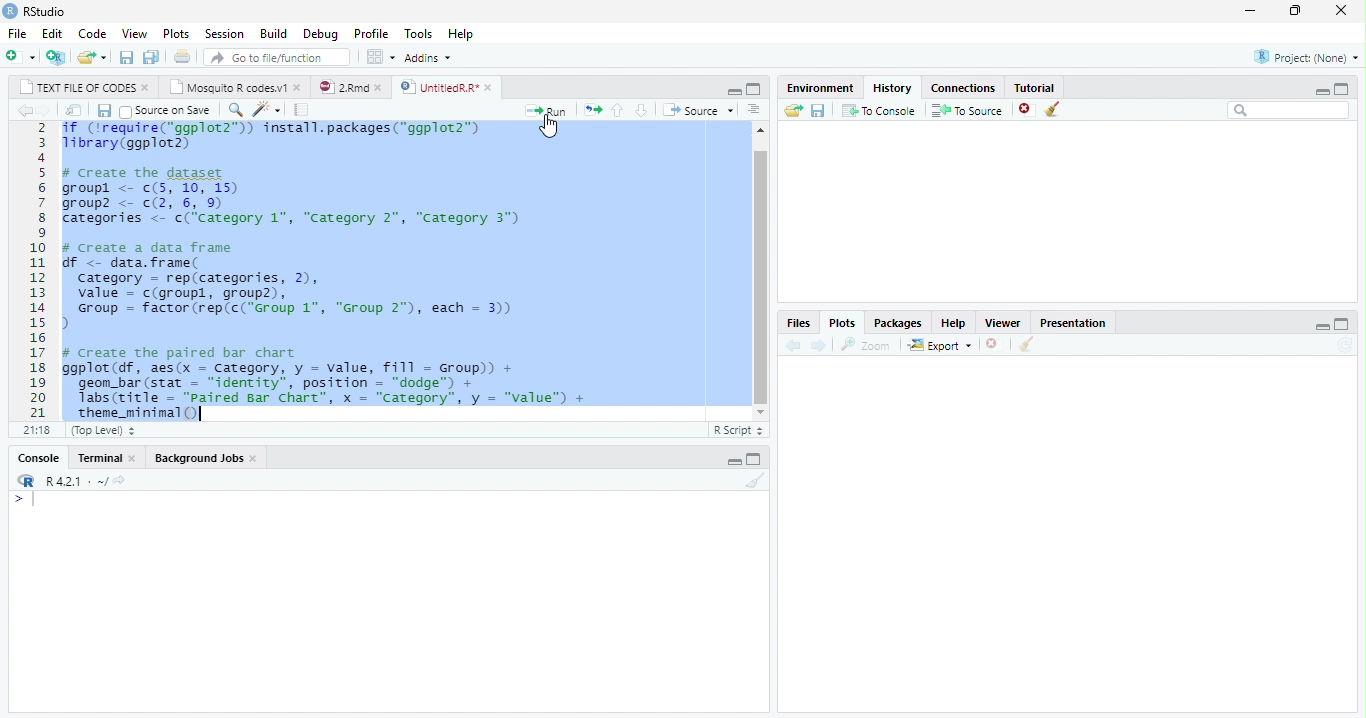  What do you see at coordinates (122, 480) in the screenshot?
I see `share icon` at bounding box center [122, 480].